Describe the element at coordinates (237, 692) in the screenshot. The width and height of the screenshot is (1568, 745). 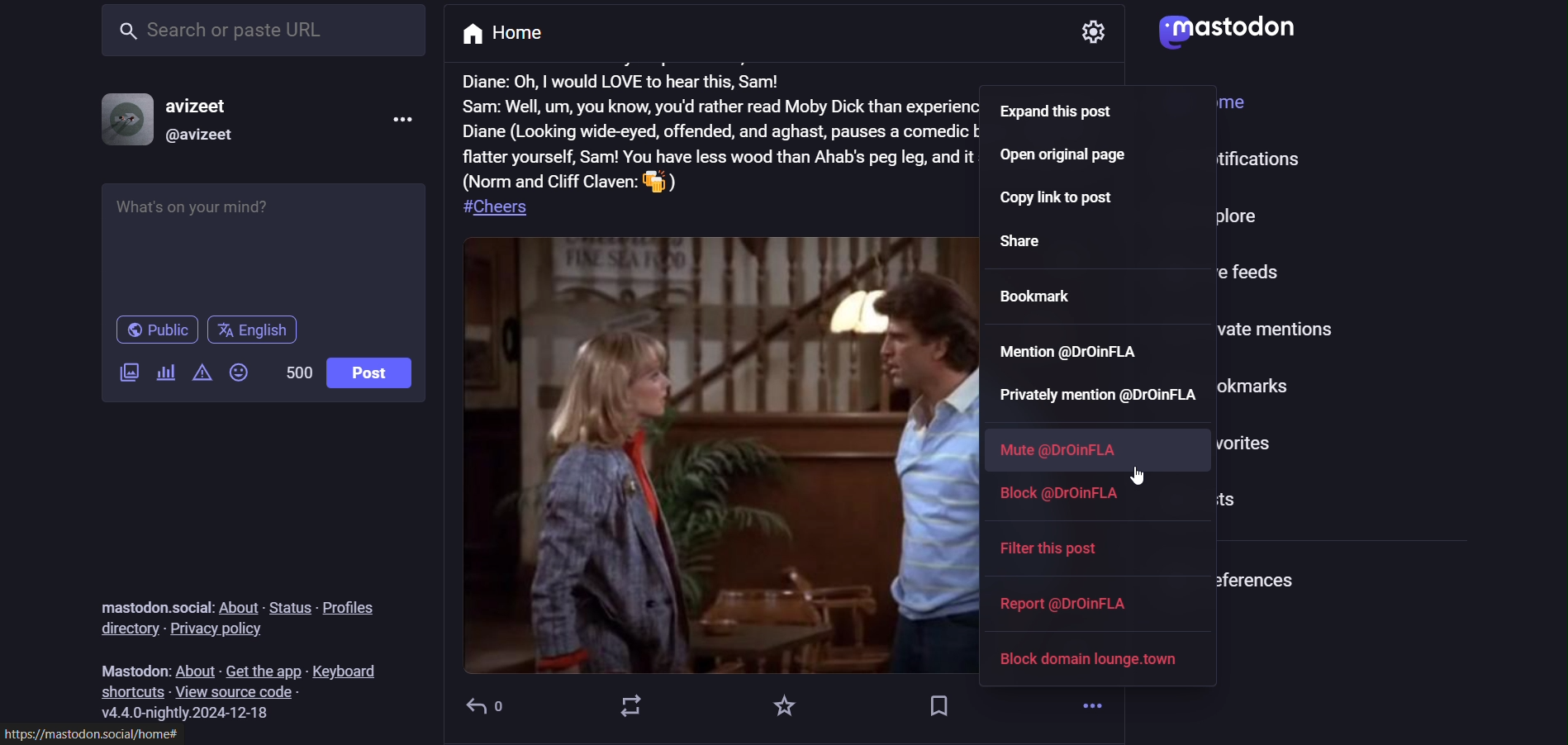
I see `view source code` at that location.